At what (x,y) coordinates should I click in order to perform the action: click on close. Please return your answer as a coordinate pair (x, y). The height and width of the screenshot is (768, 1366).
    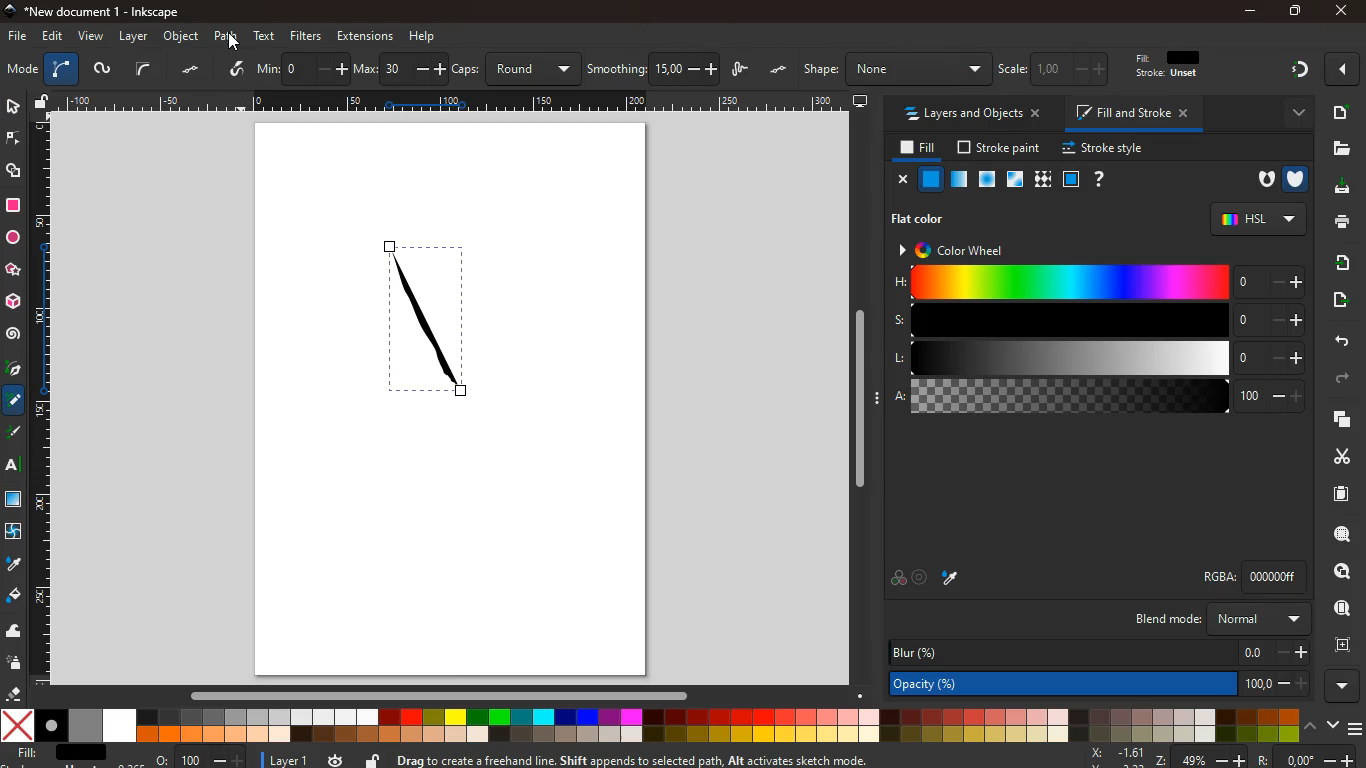
    Looking at the image, I should click on (1340, 12).